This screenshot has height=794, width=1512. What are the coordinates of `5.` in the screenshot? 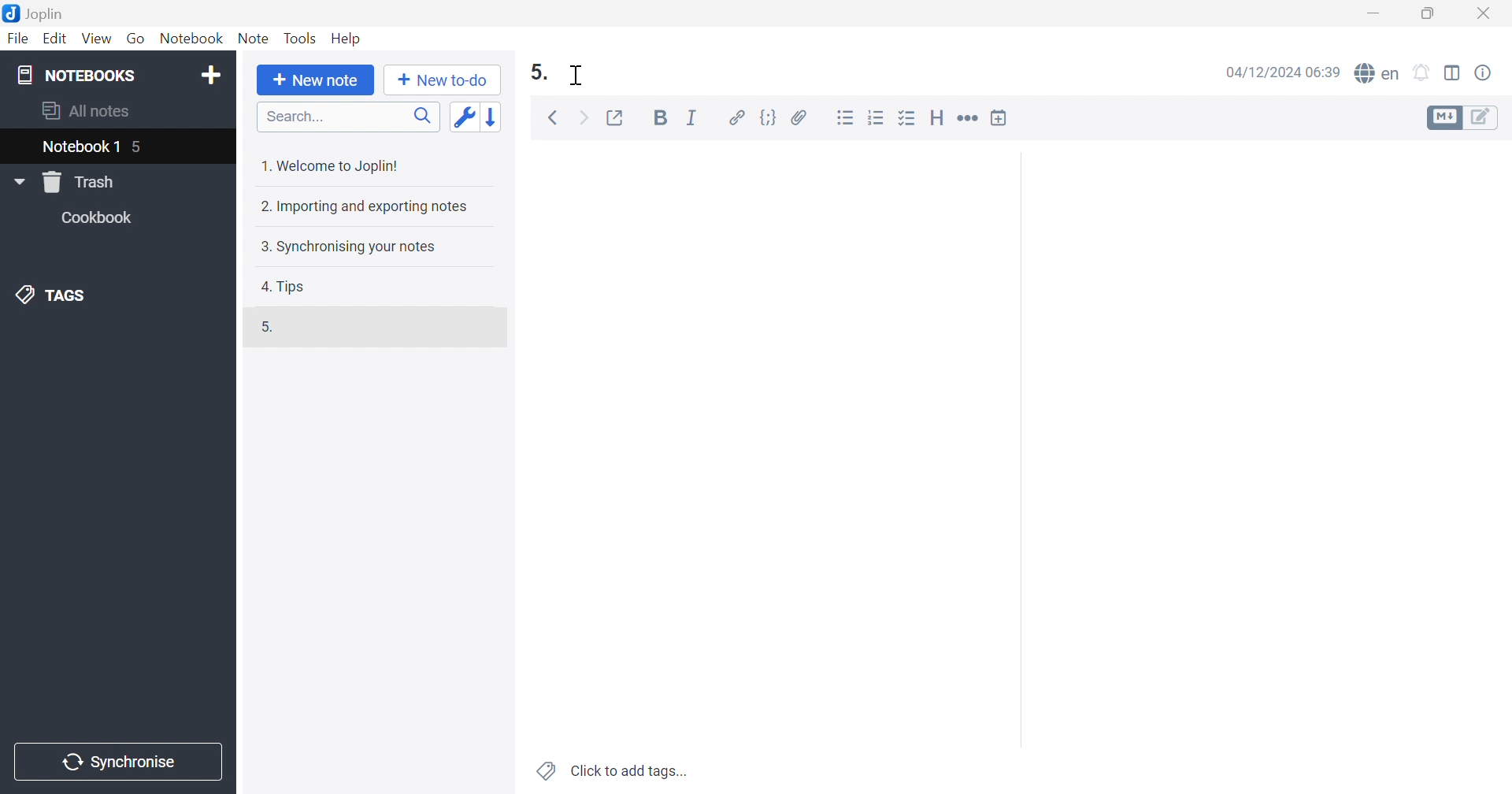 It's located at (269, 332).